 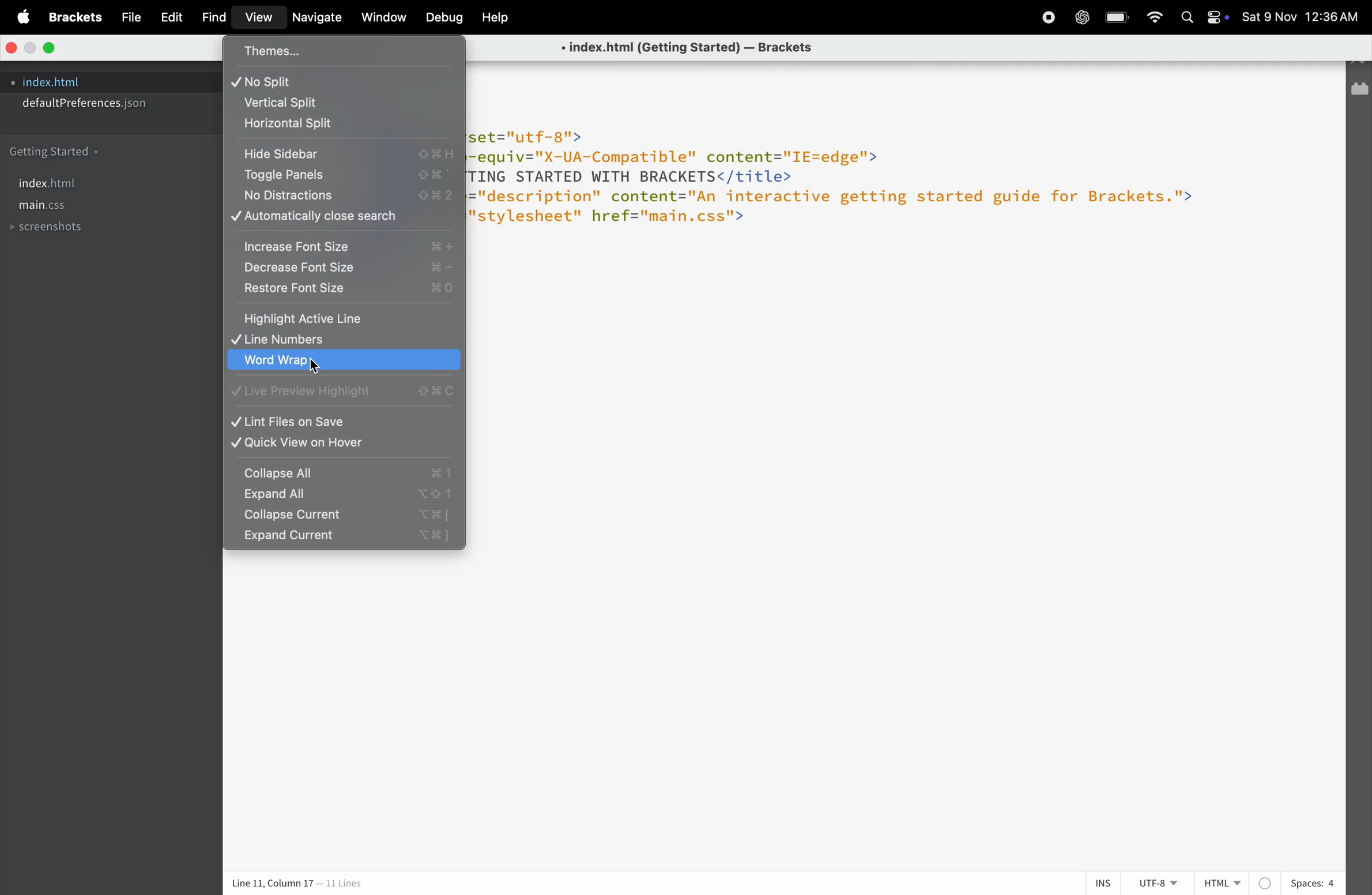 I want to click on main.css, so click(x=59, y=208).